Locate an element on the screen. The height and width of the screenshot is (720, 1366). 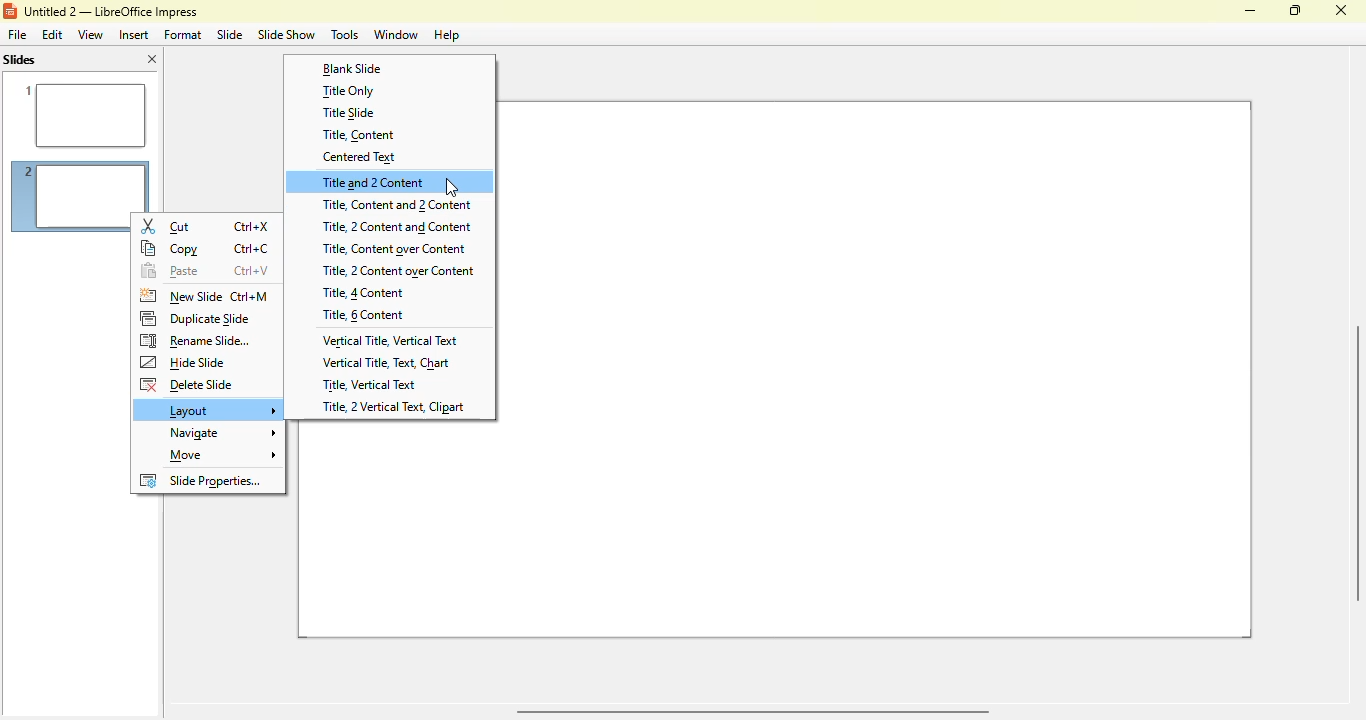
title slide is located at coordinates (347, 113).